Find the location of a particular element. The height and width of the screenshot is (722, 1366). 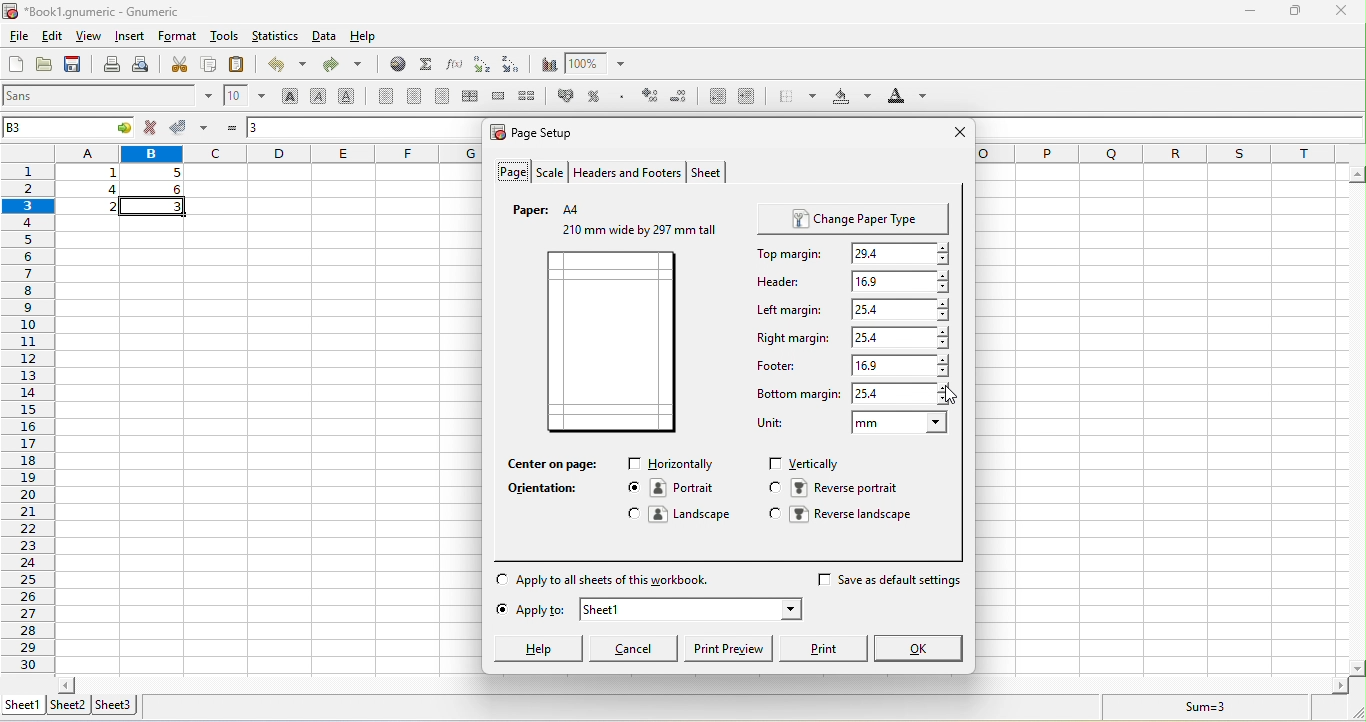

minimize is located at coordinates (1251, 12).